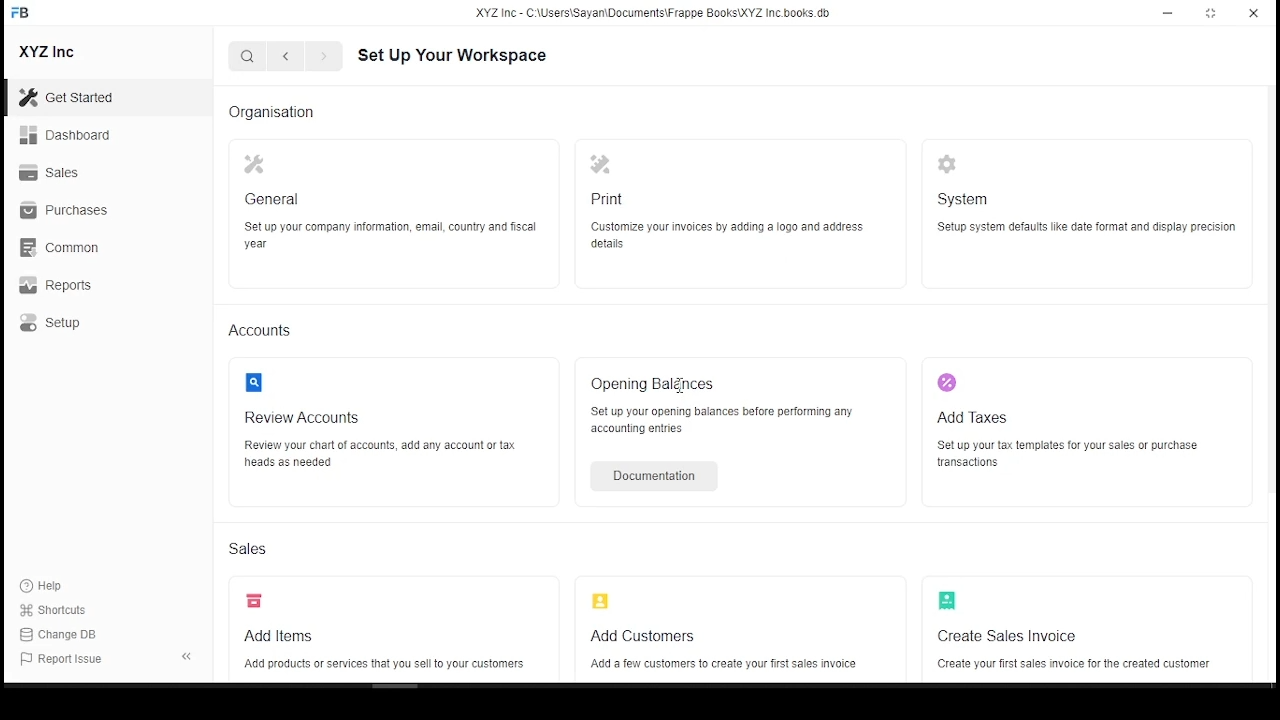  What do you see at coordinates (453, 55) in the screenshot?
I see `set up your workspace` at bounding box center [453, 55].